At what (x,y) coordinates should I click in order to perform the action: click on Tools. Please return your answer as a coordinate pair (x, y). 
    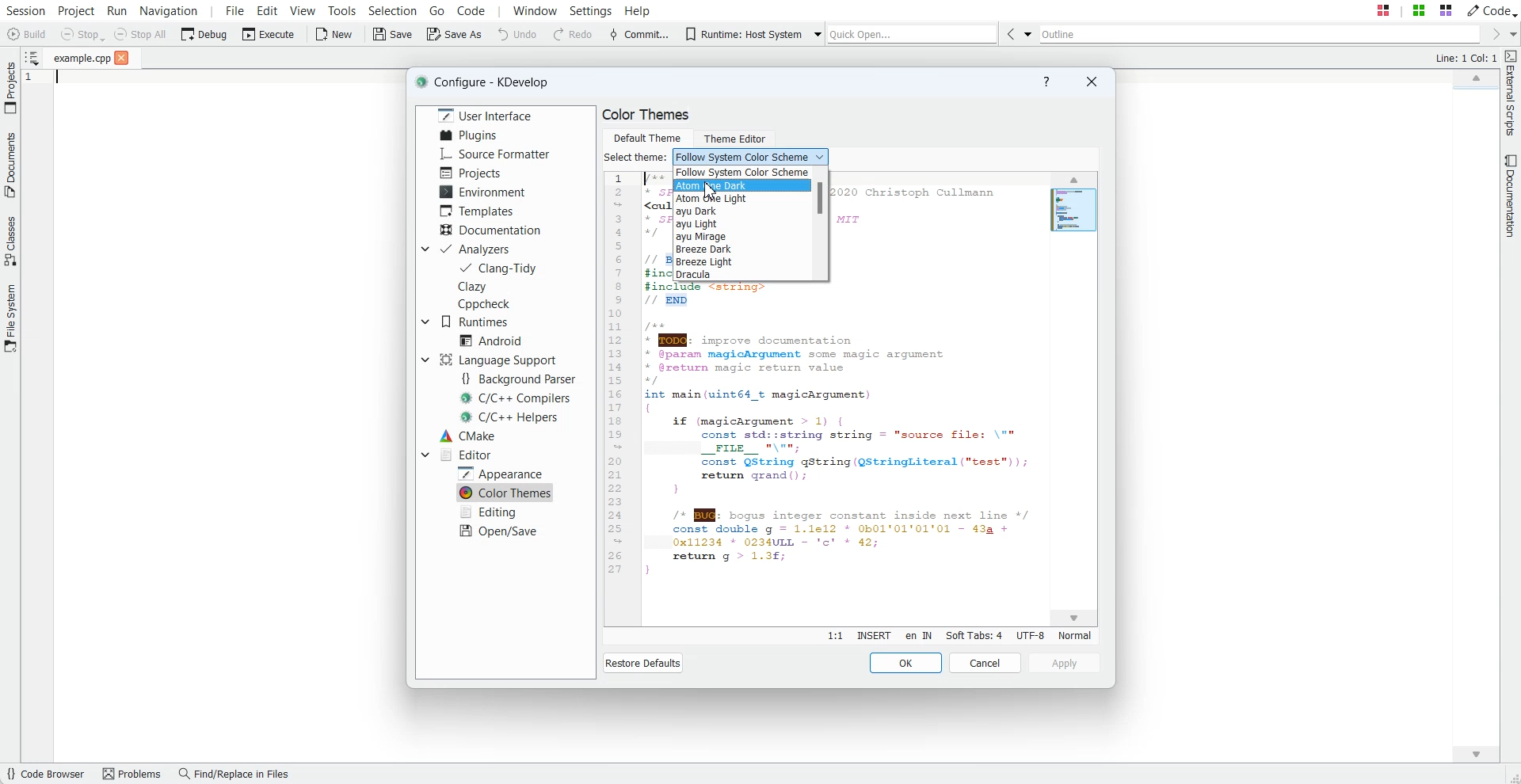
    Looking at the image, I should click on (341, 10).